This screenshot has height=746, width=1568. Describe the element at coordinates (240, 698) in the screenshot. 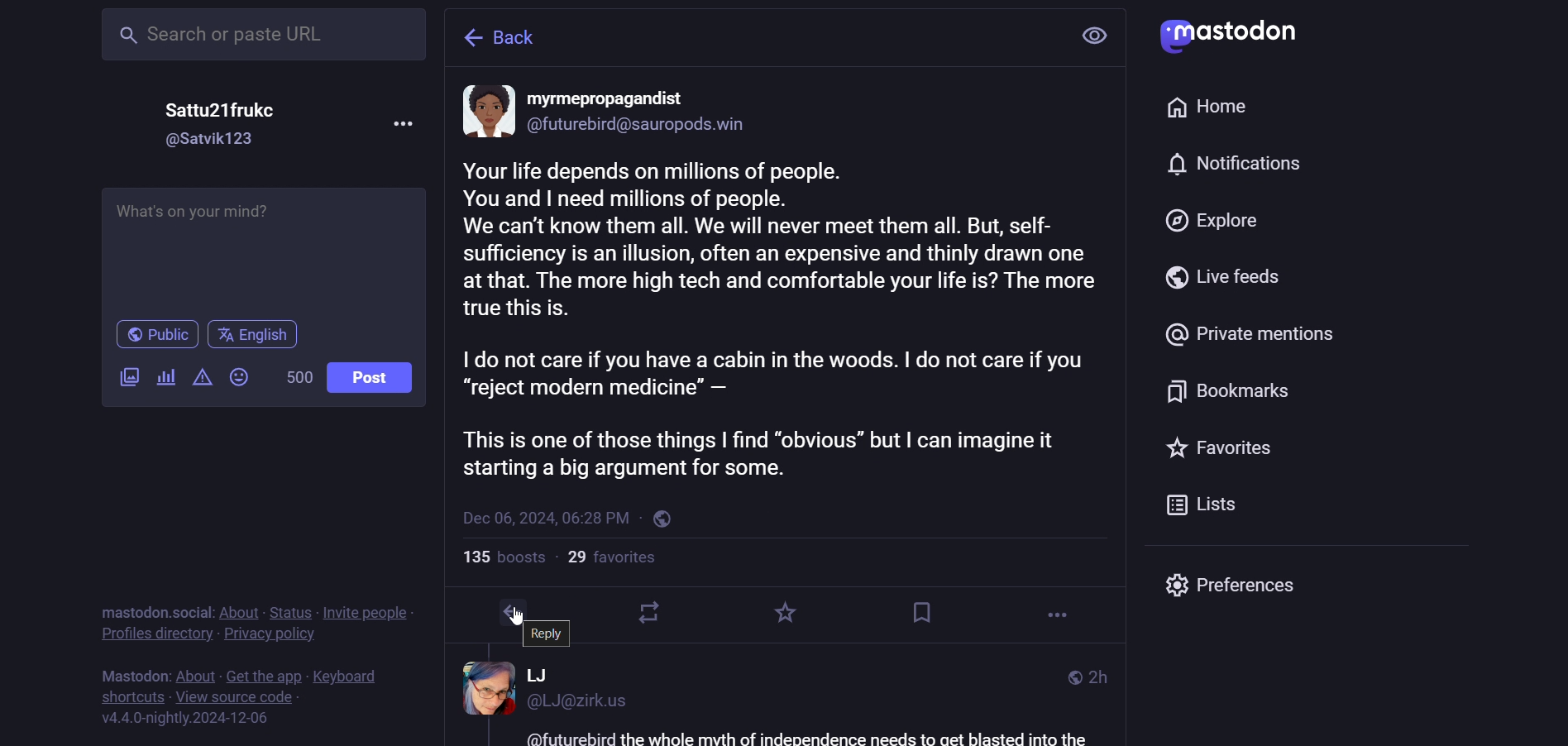

I see `source code` at that location.